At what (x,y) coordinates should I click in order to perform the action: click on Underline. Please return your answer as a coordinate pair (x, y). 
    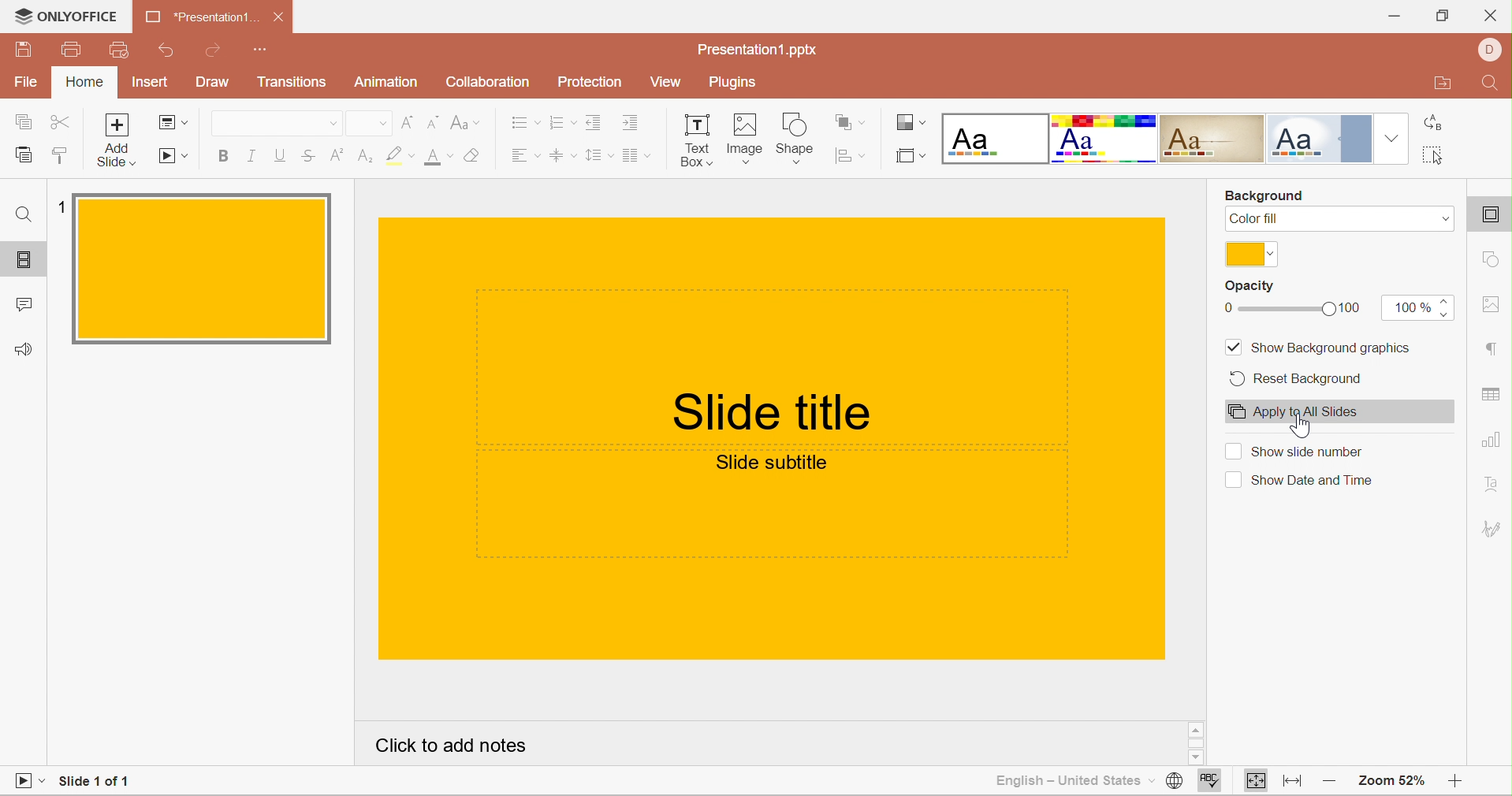
    Looking at the image, I should click on (278, 154).